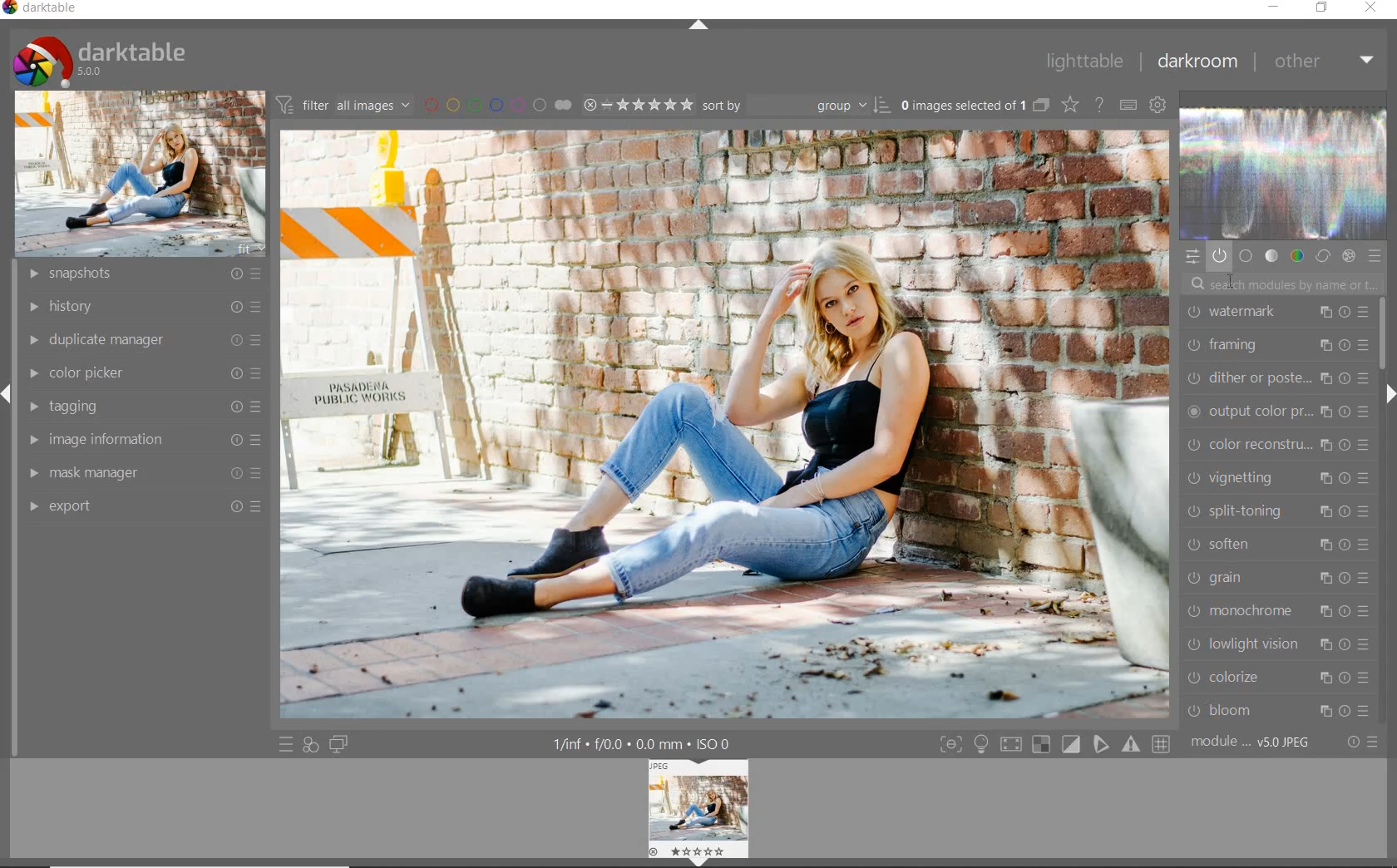 This screenshot has height=868, width=1397. Describe the element at coordinates (141, 441) in the screenshot. I see `image information` at that location.